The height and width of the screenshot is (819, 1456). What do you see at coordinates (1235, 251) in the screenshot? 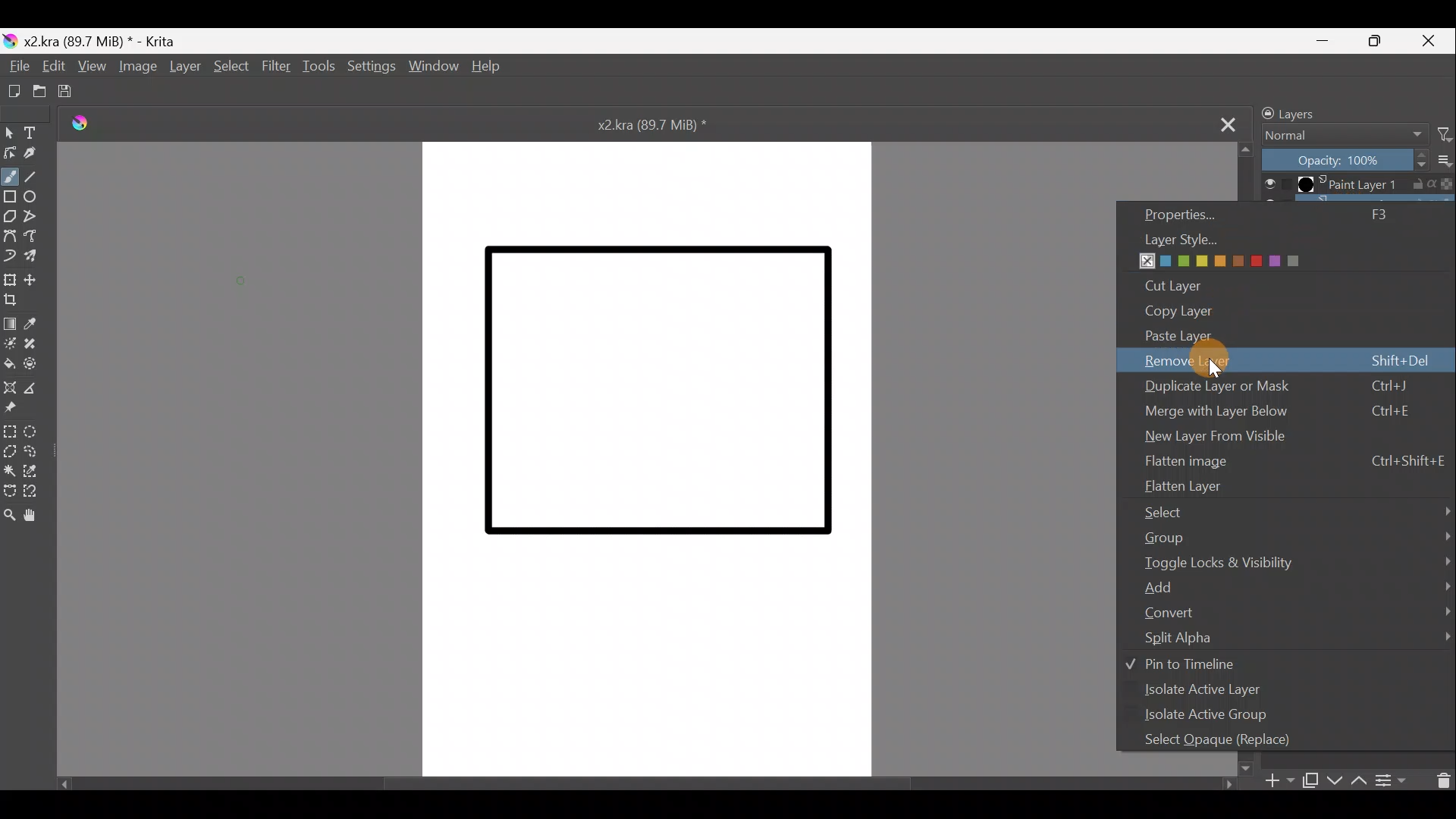
I see `Layer style` at bounding box center [1235, 251].